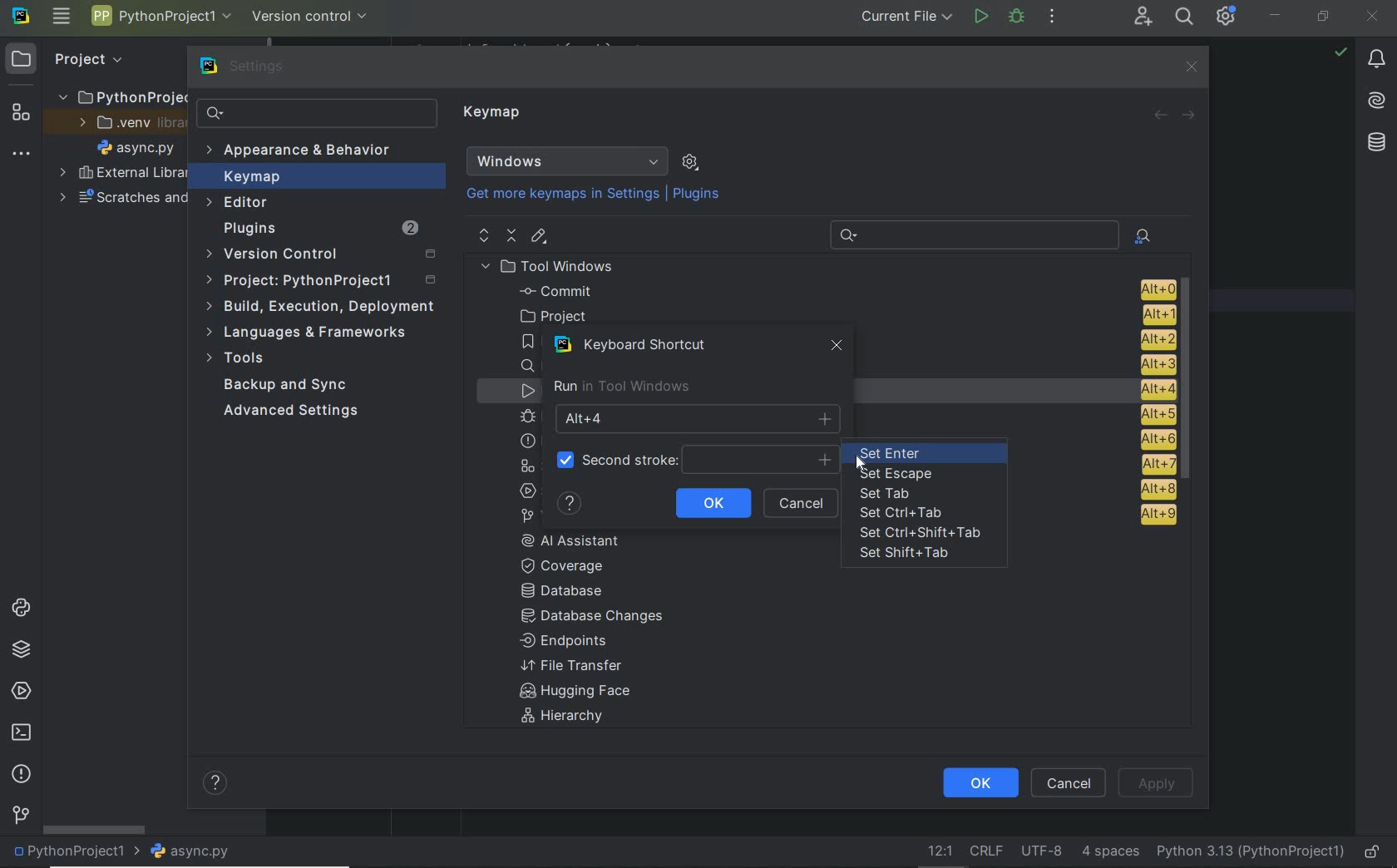  I want to click on Endpoints, so click(565, 642).